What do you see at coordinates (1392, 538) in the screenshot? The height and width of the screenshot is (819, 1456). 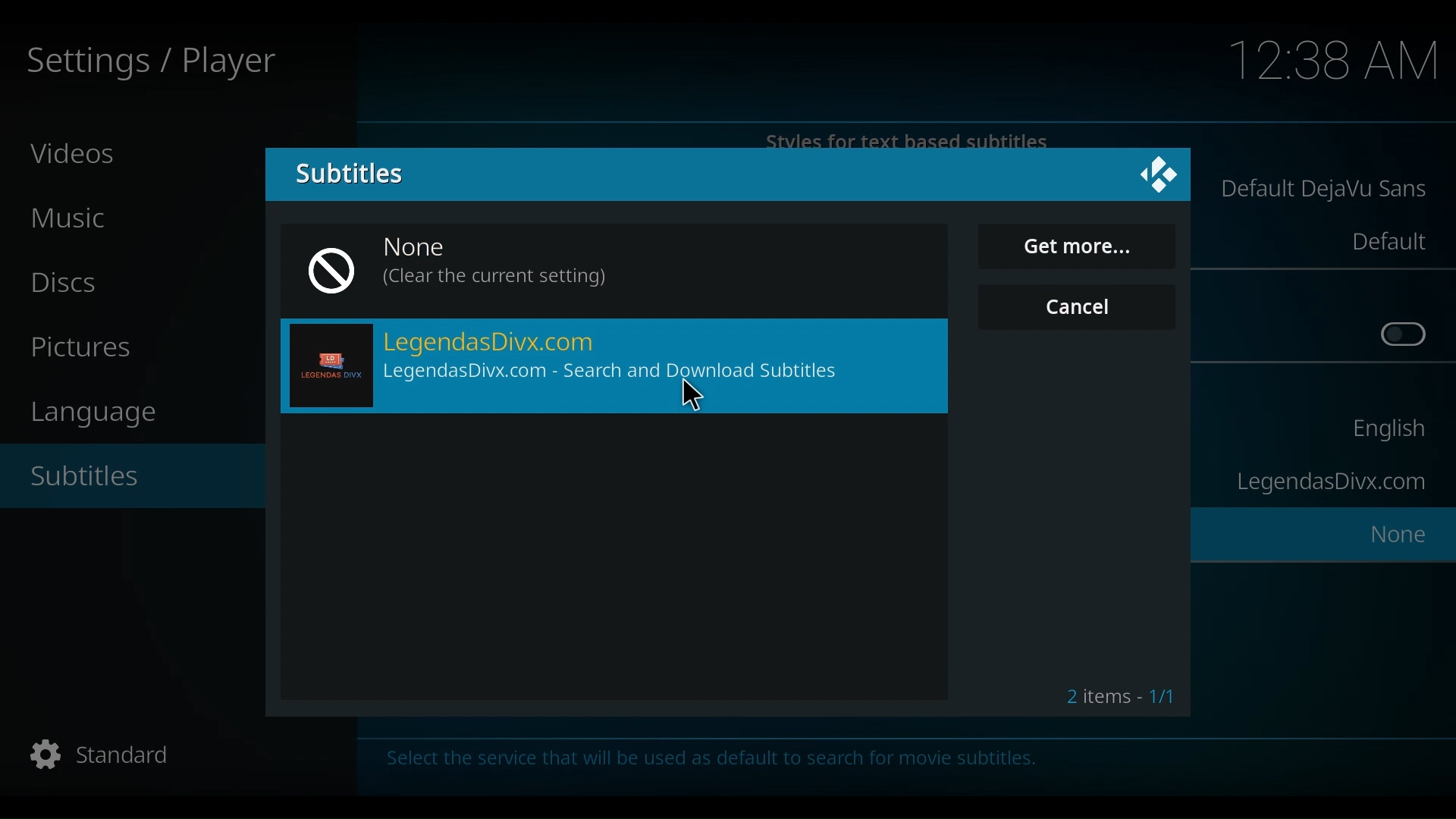 I see `None` at bounding box center [1392, 538].